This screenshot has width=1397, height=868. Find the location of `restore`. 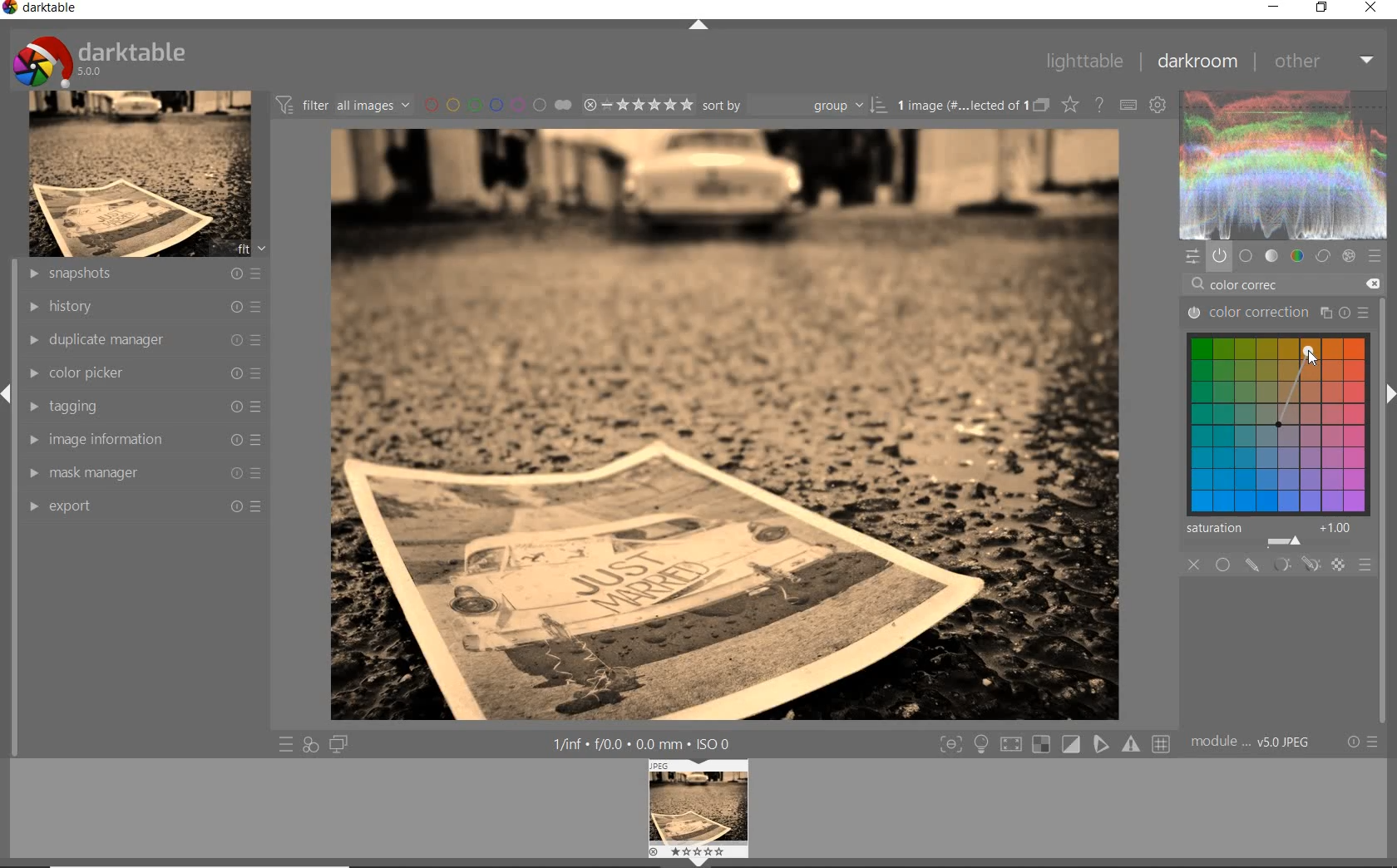

restore is located at coordinates (1323, 7).